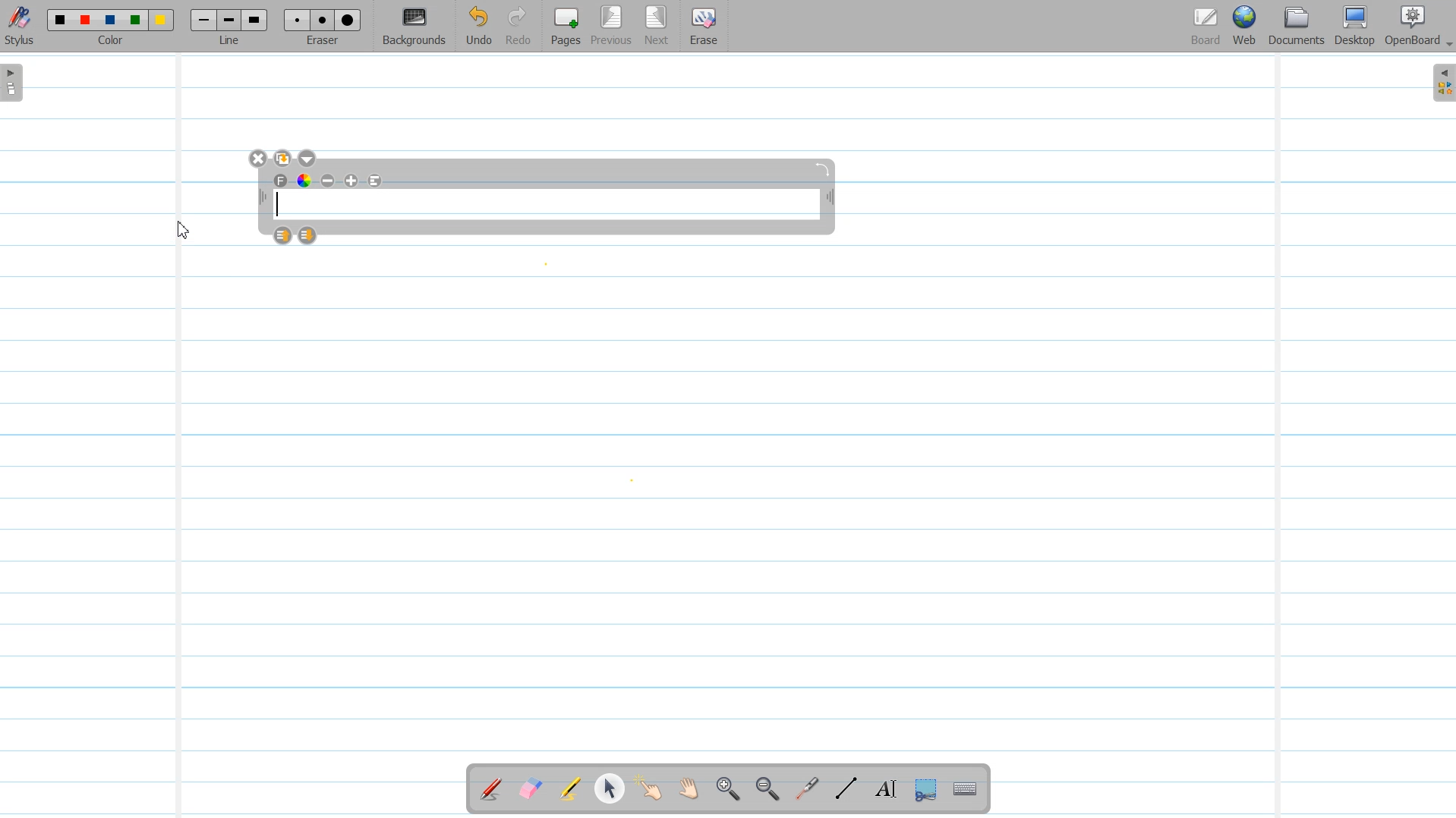  Describe the element at coordinates (1246, 27) in the screenshot. I see `Web` at that location.